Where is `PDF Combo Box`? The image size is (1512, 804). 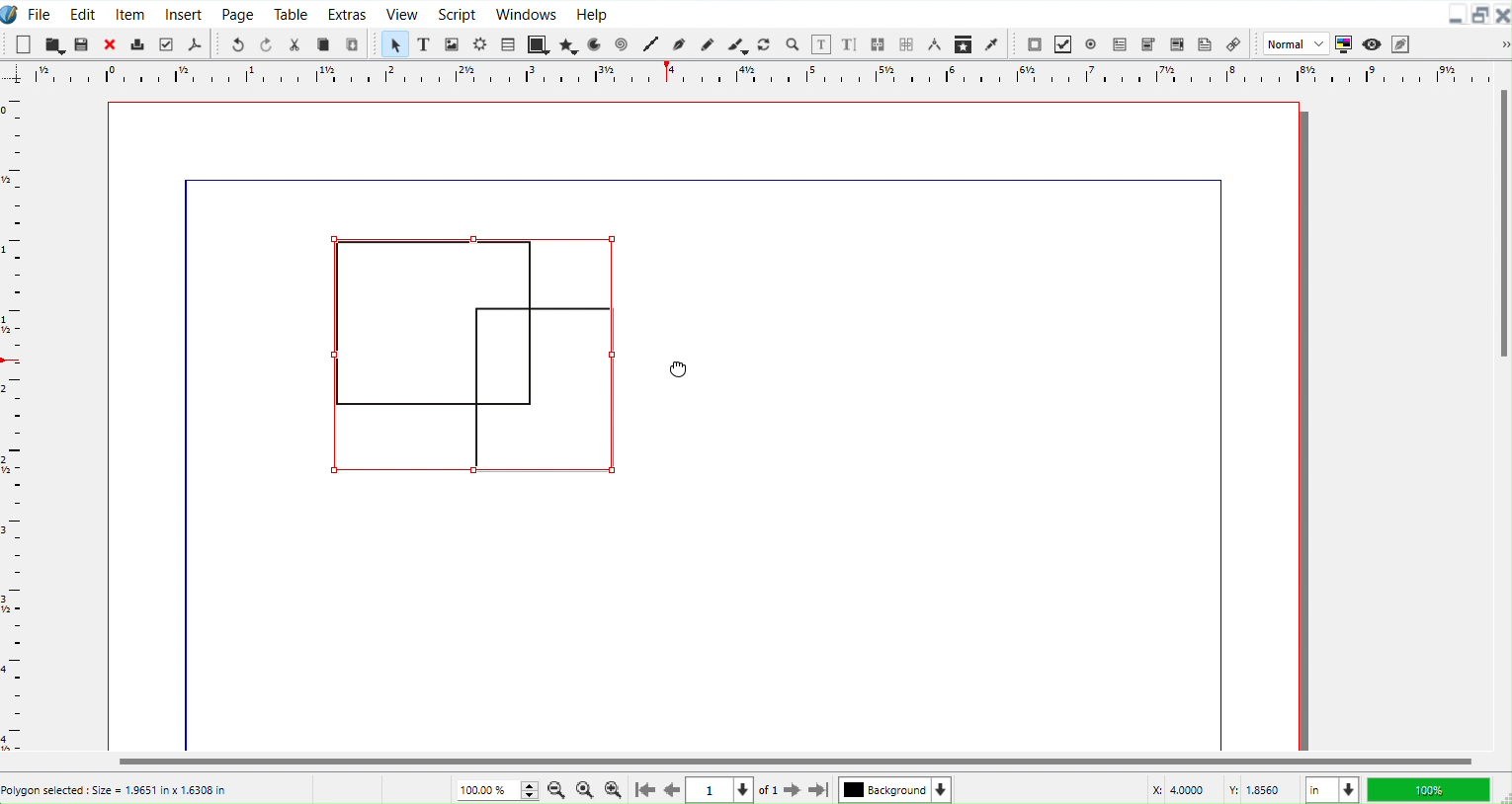 PDF Combo Box is located at coordinates (1148, 43).